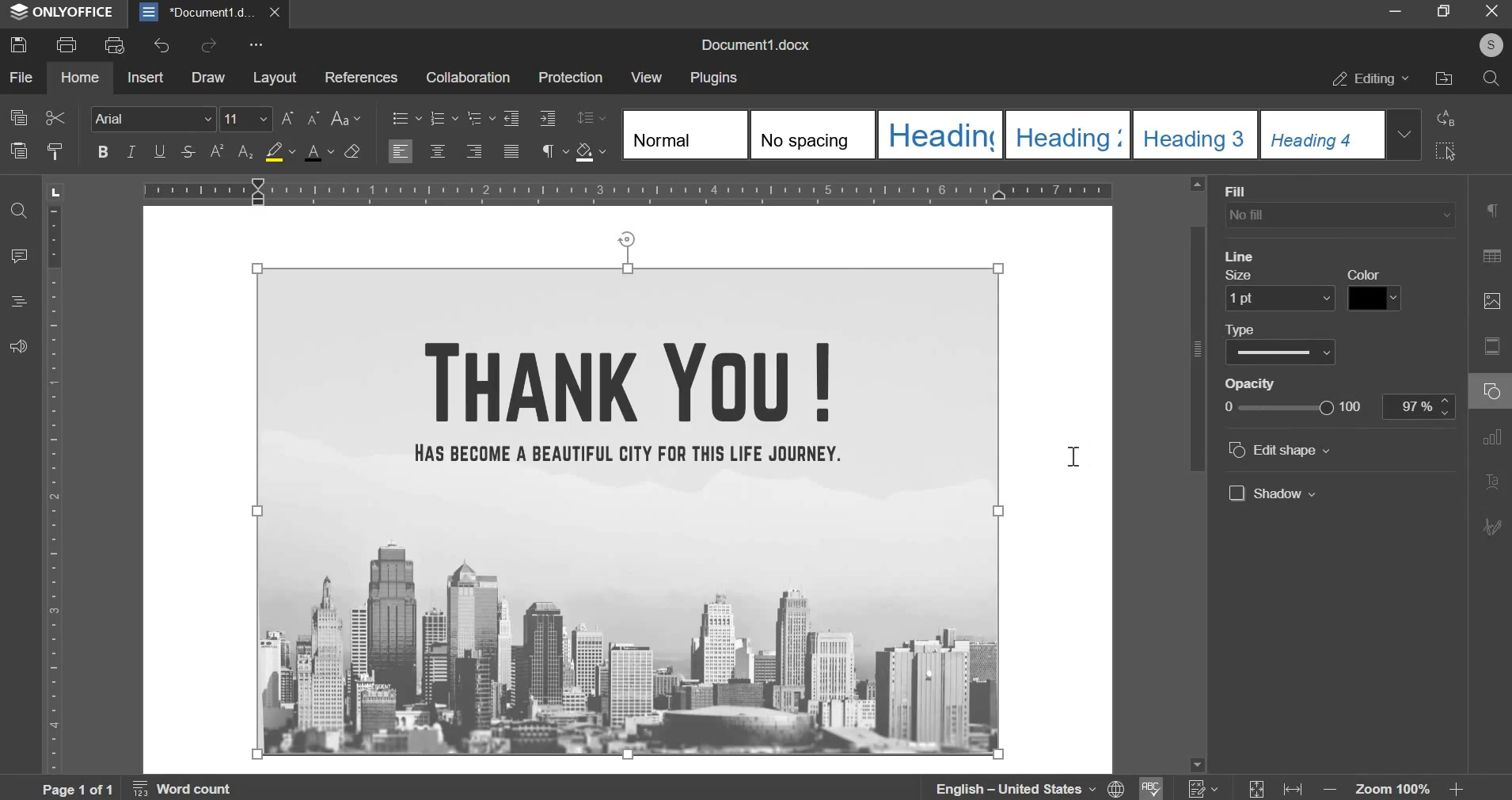 The width and height of the screenshot is (1512, 800). Describe the element at coordinates (443, 118) in the screenshot. I see `numbering` at that location.